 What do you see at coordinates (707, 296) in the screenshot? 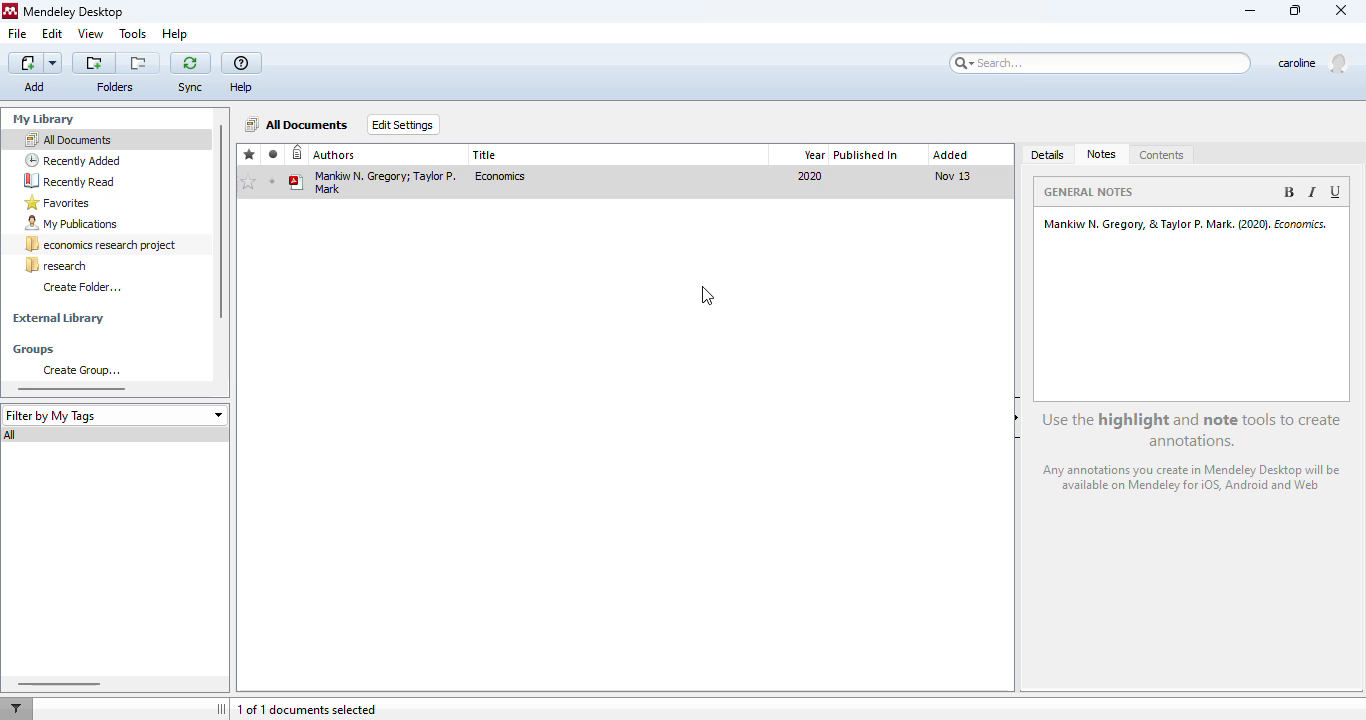
I see `cursor` at bounding box center [707, 296].